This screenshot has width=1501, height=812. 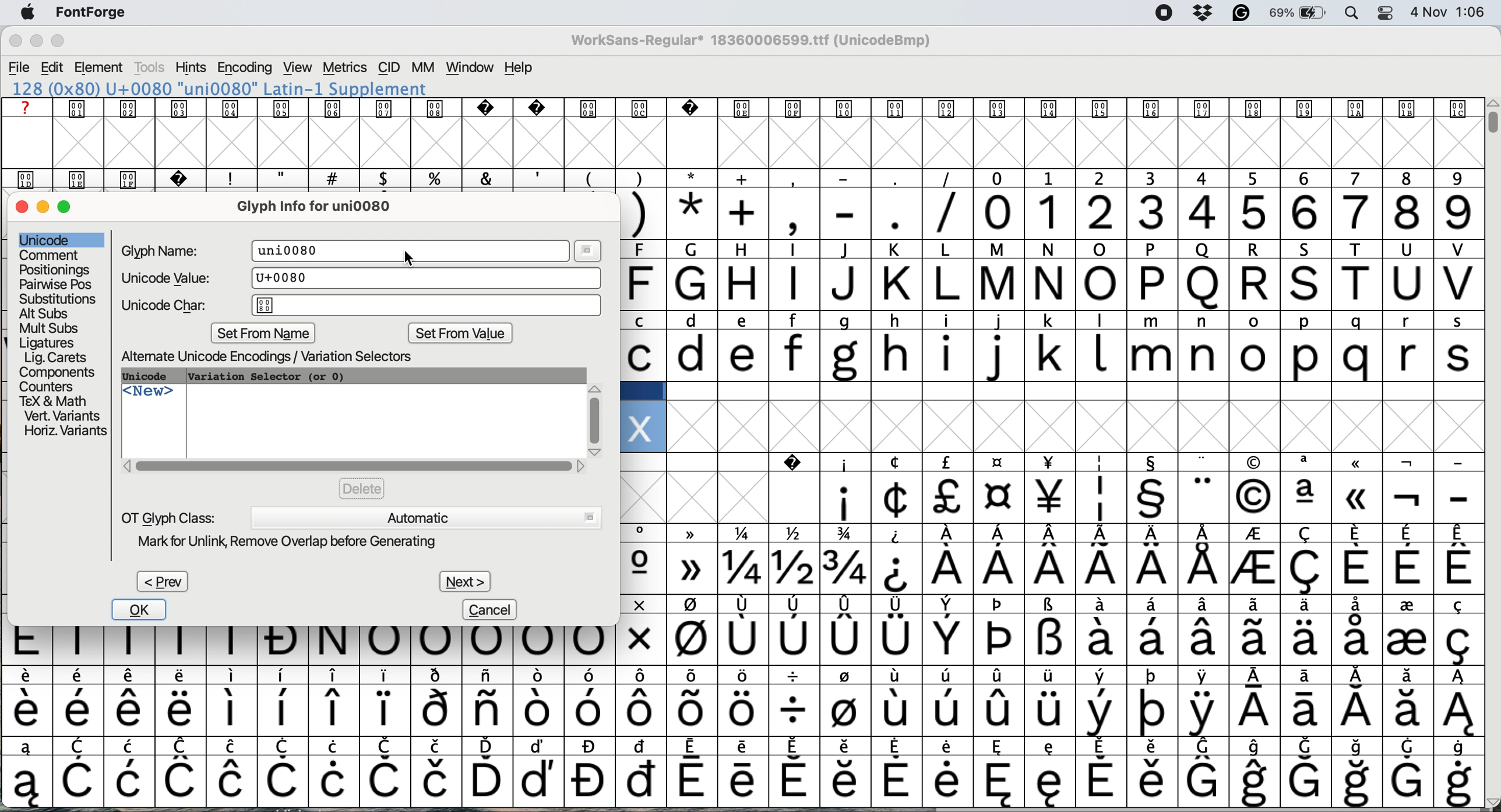 What do you see at coordinates (792, 213) in the screenshot?
I see `special characters` at bounding box center [792, 213].